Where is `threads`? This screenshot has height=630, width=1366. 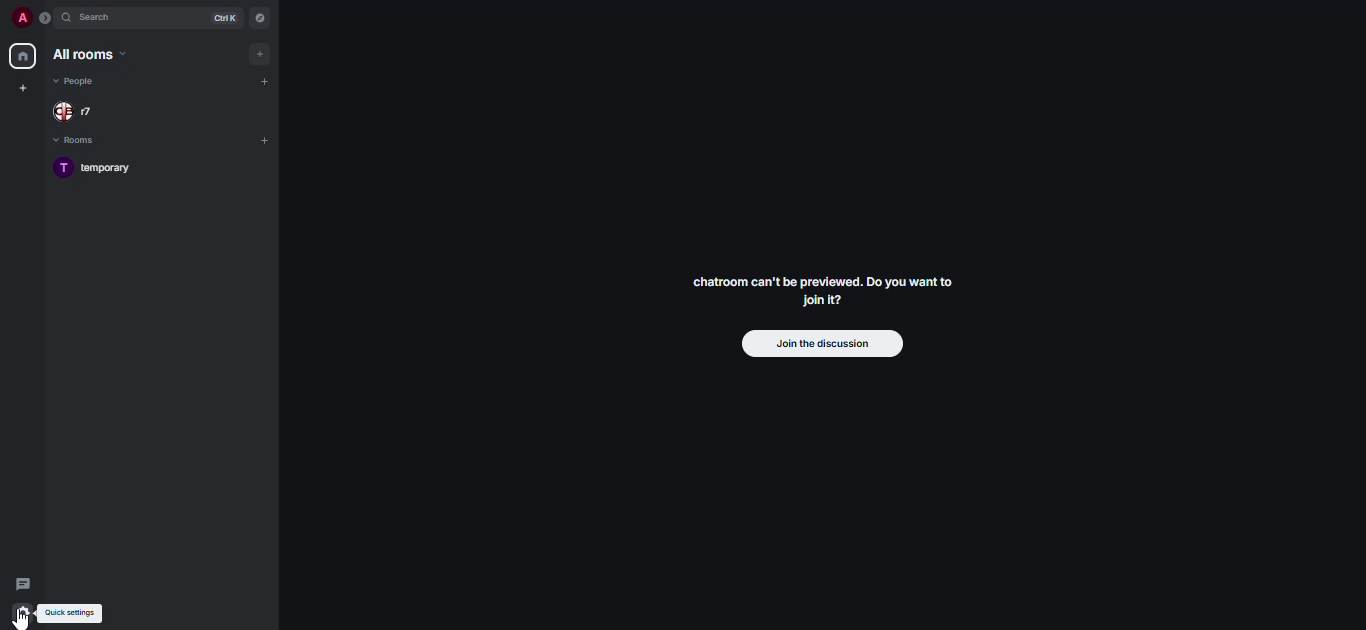
threads is located at coordinates (24, 583).